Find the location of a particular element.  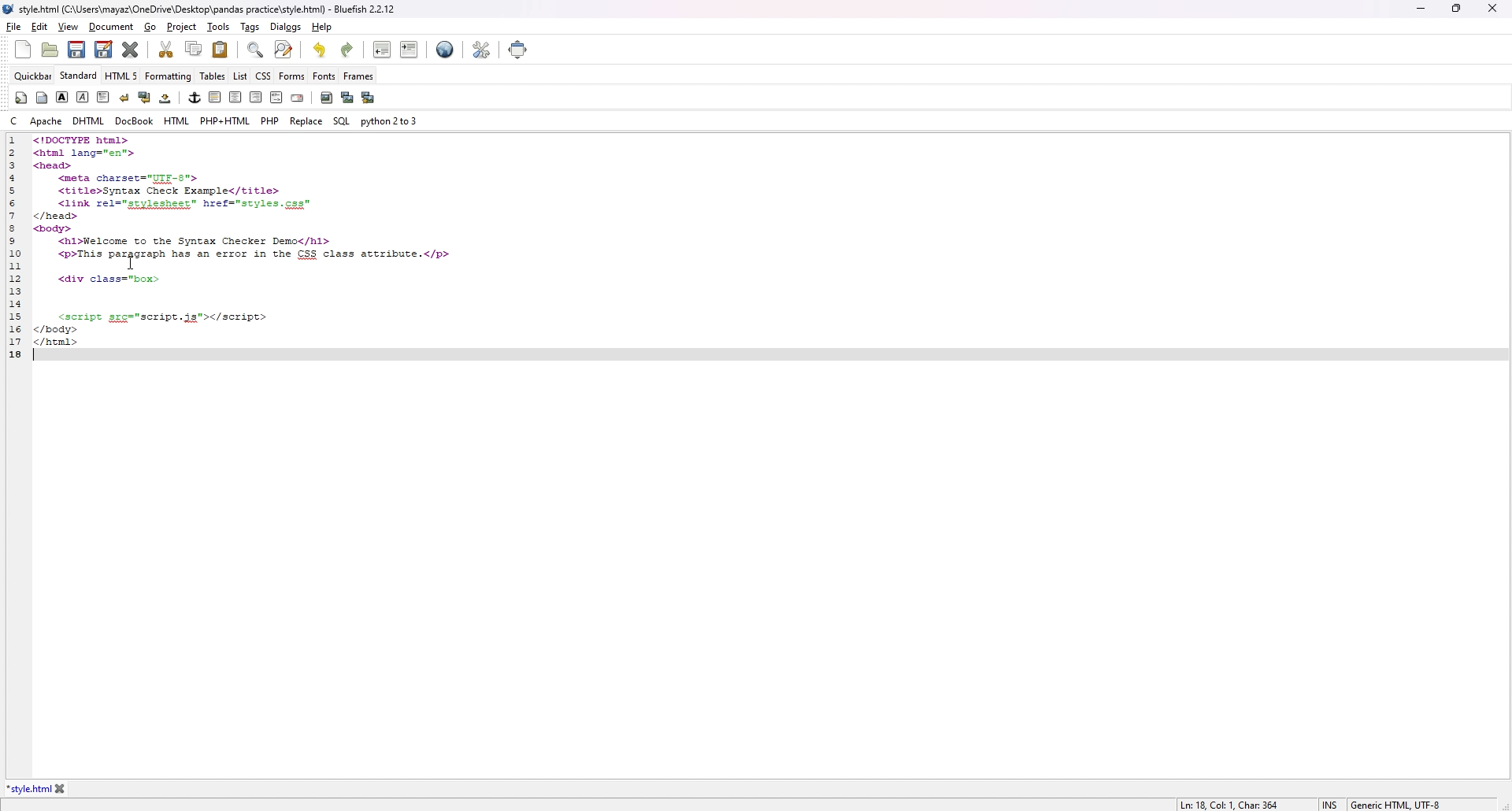

left indent is located at coordinates (215, 98).